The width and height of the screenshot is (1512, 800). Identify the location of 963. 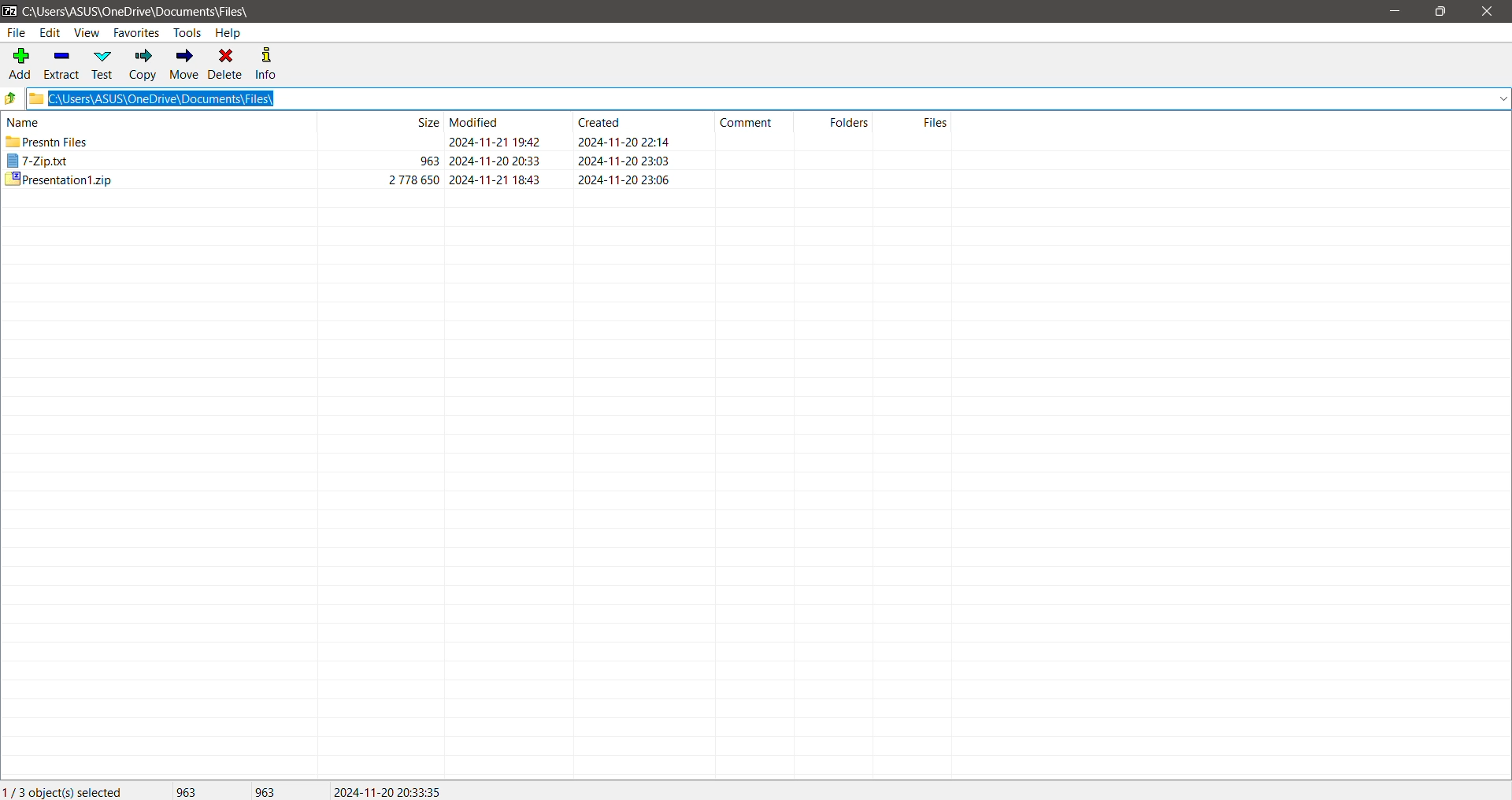
(428, 161).